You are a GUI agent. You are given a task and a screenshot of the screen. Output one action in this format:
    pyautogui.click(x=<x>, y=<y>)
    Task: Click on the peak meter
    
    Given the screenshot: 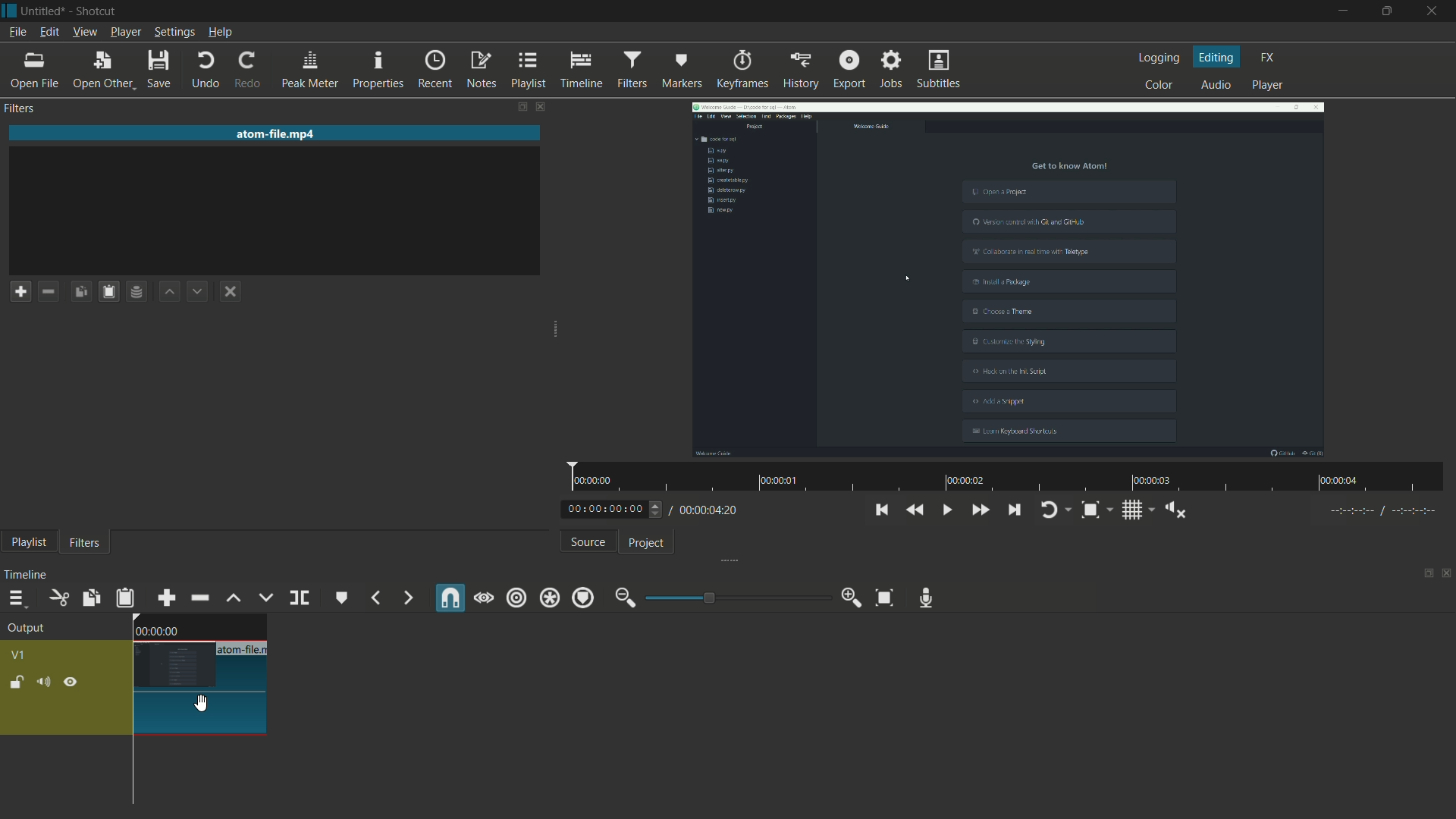 What is the action you would take?
    pyautogui.click(x=308, y=69)
    